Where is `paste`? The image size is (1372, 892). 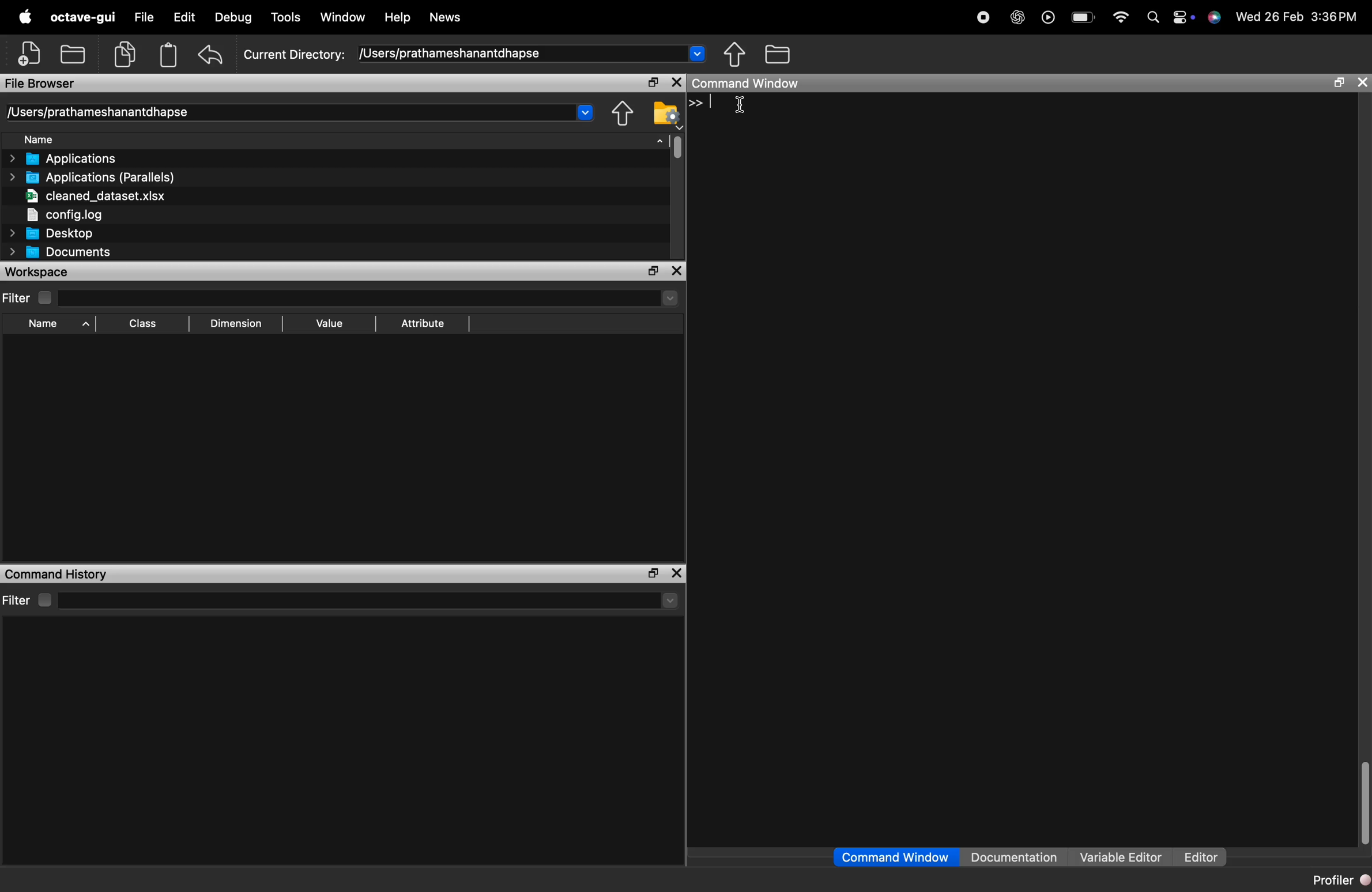
paste is located at coordinates (169, 55).